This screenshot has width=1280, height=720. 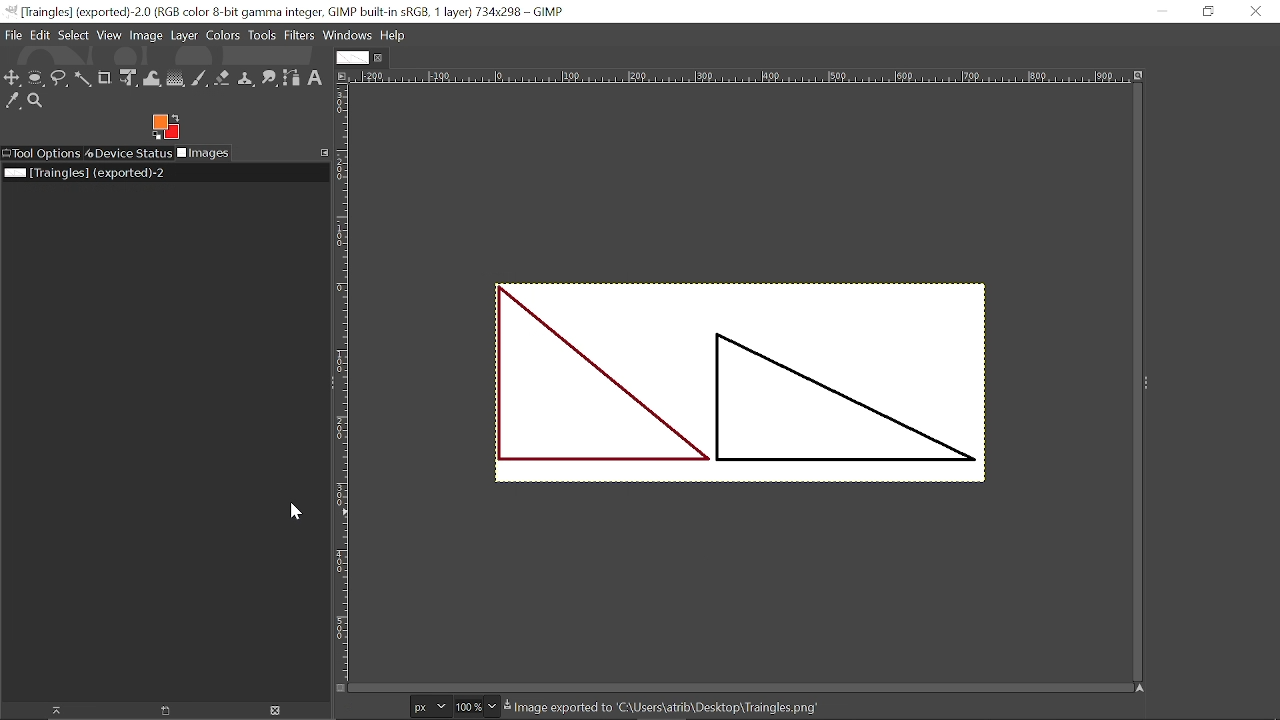 I want to click on Layer, so click(x=184, y=36).